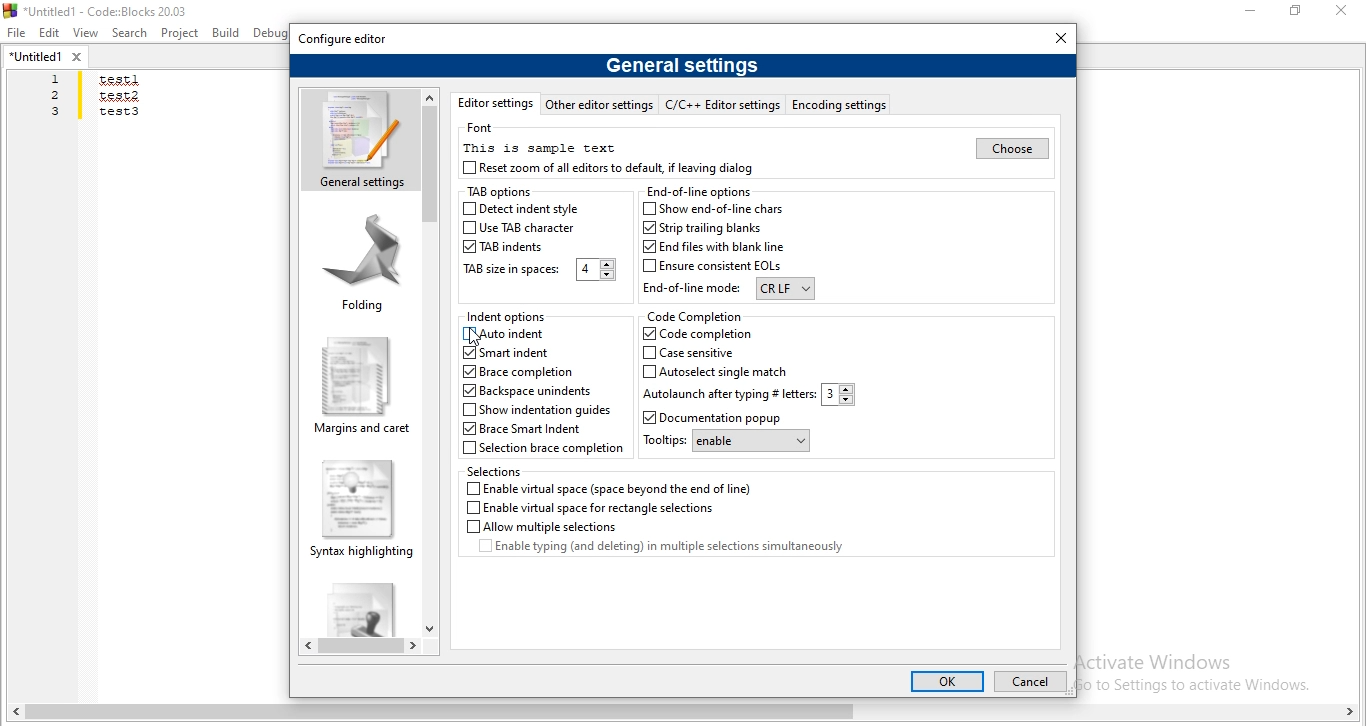  I want to click on Debug , so click(272, 32).